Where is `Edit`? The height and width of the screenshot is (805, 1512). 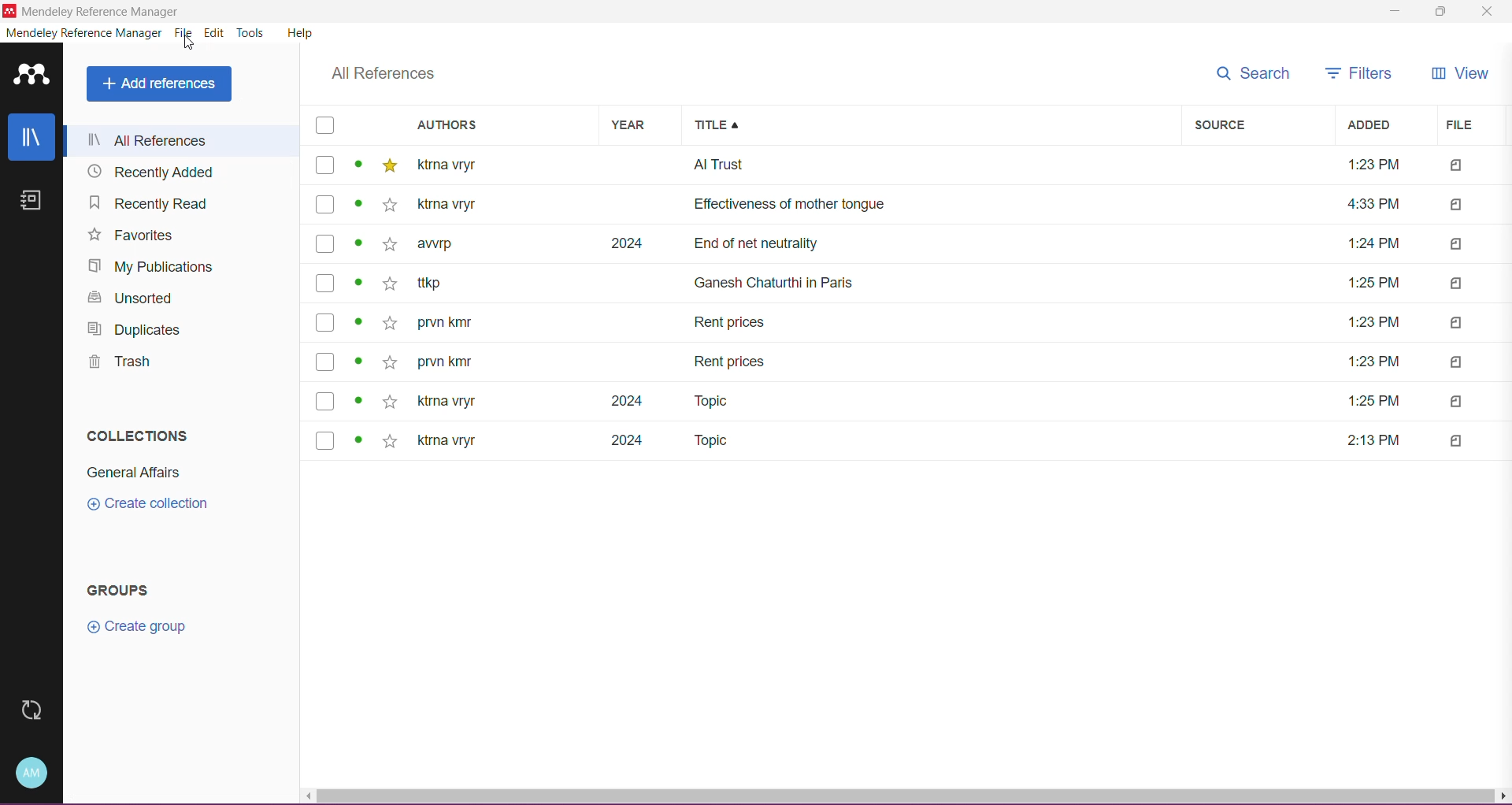
Edit is located at coordinates (216, 33).